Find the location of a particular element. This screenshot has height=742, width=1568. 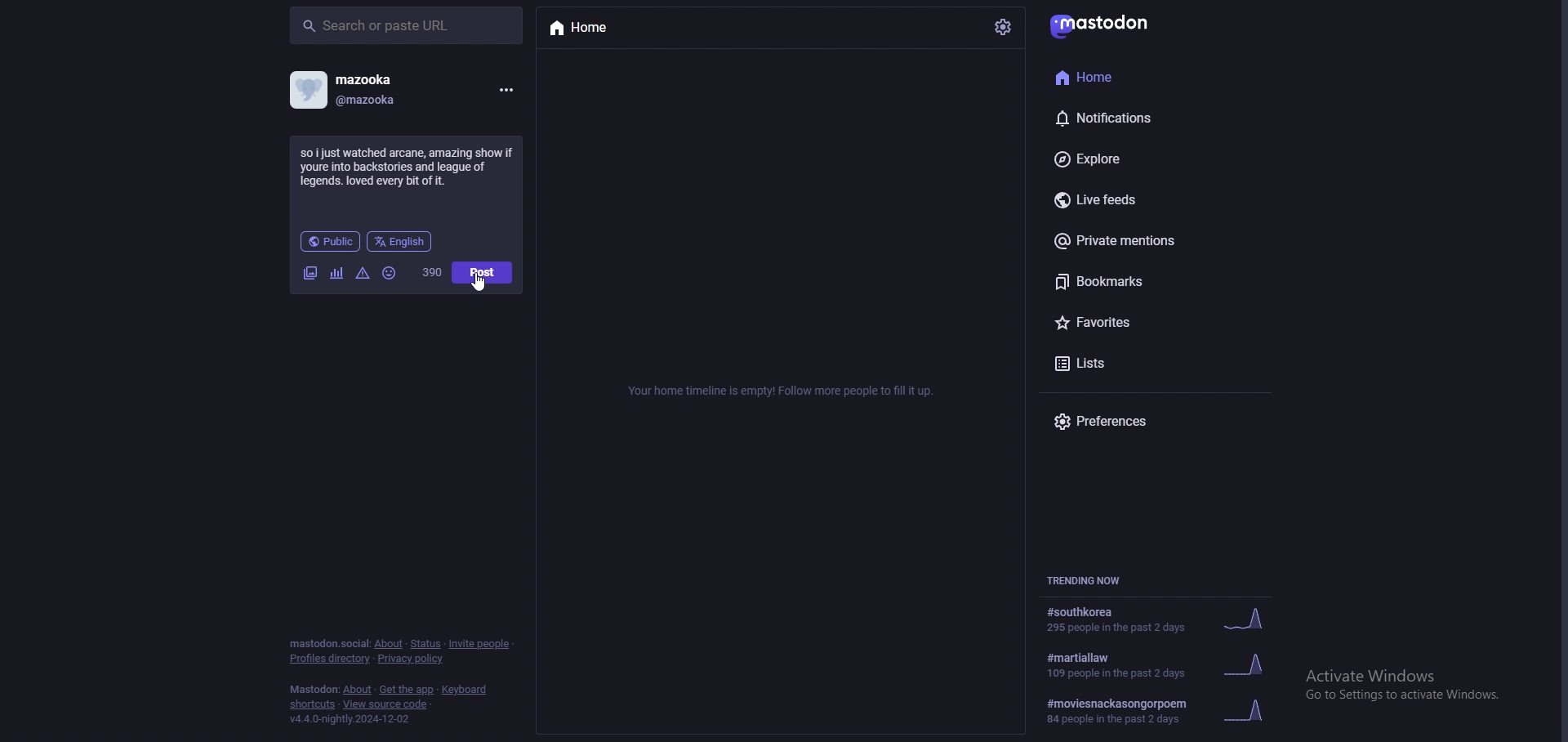

bookmarks is located at coordinates (1125, 284).